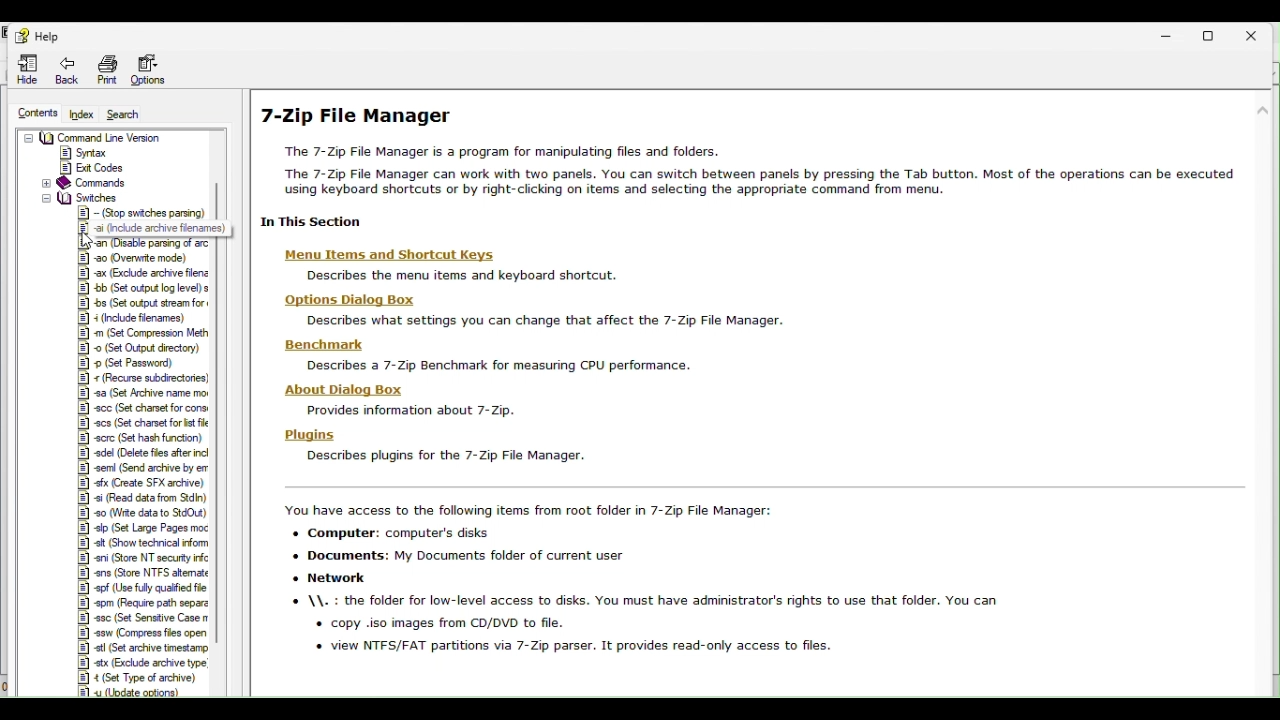 This screenshot has width=1280, height=720. Describe the element at coordinates (127, 362) in the screenshot. I see `Set Password` at that location.